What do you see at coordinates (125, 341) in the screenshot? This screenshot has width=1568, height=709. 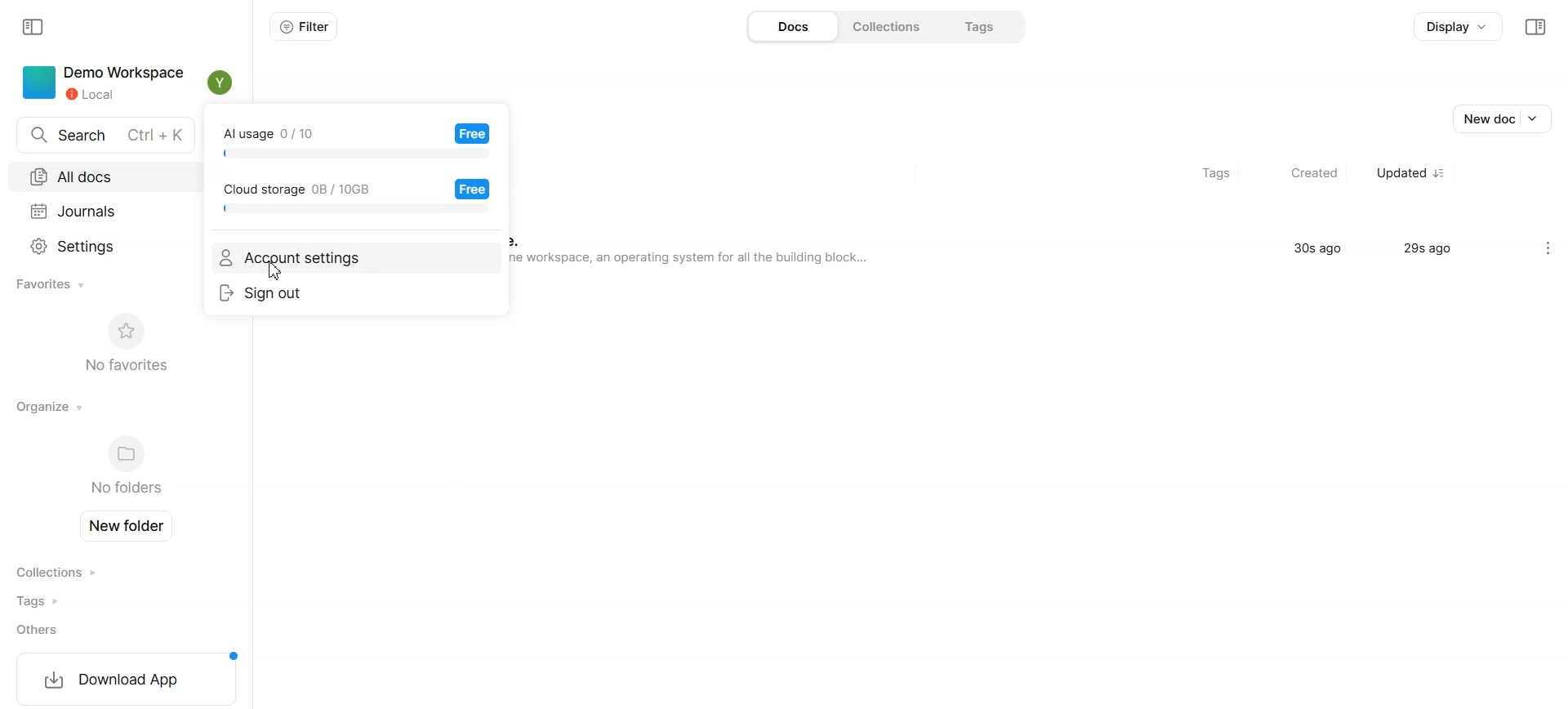 I see `no favorites` at bounding box center [125, 341].